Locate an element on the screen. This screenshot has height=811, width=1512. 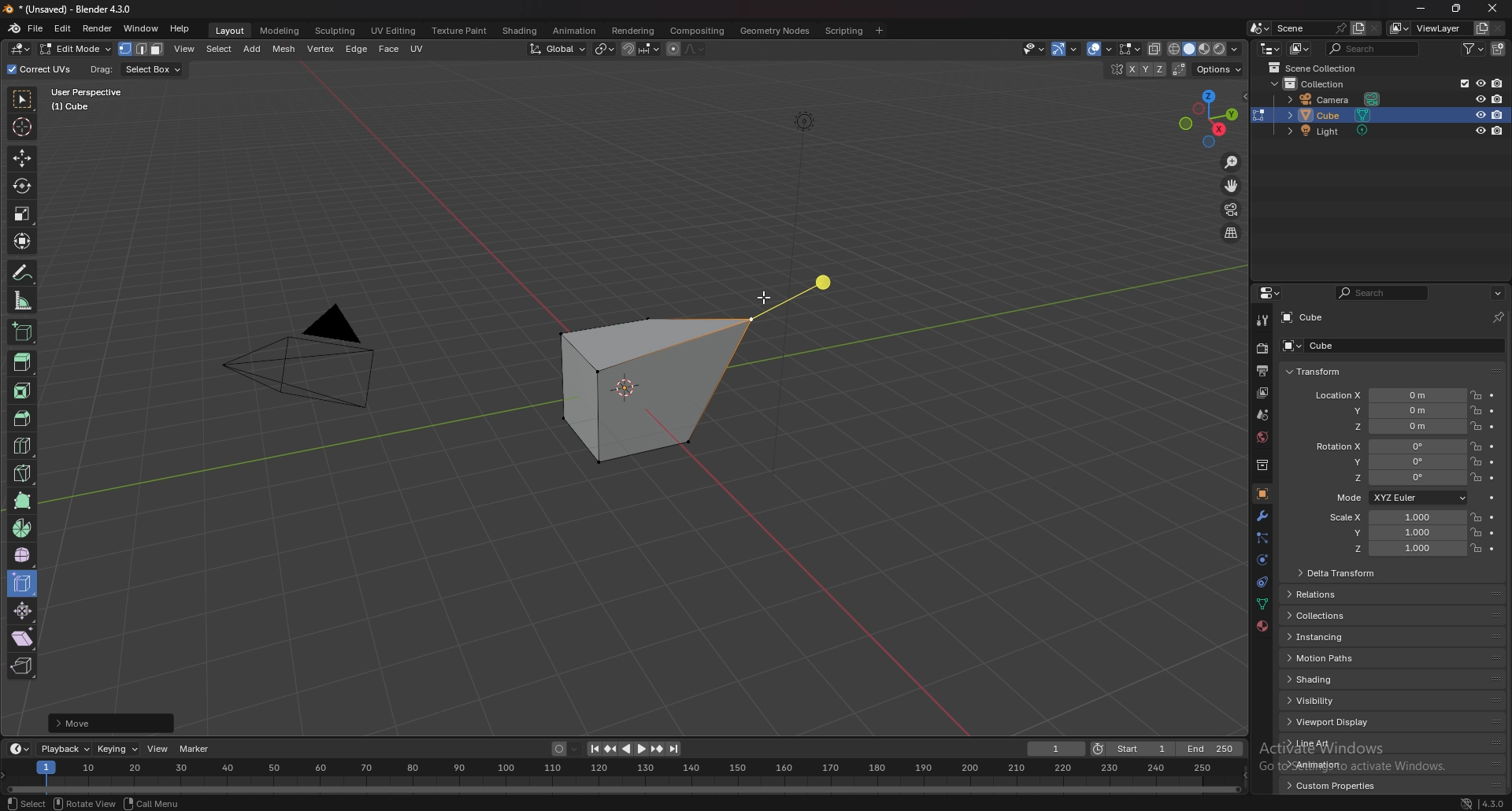
change object is located at coordinates (1258, 115).